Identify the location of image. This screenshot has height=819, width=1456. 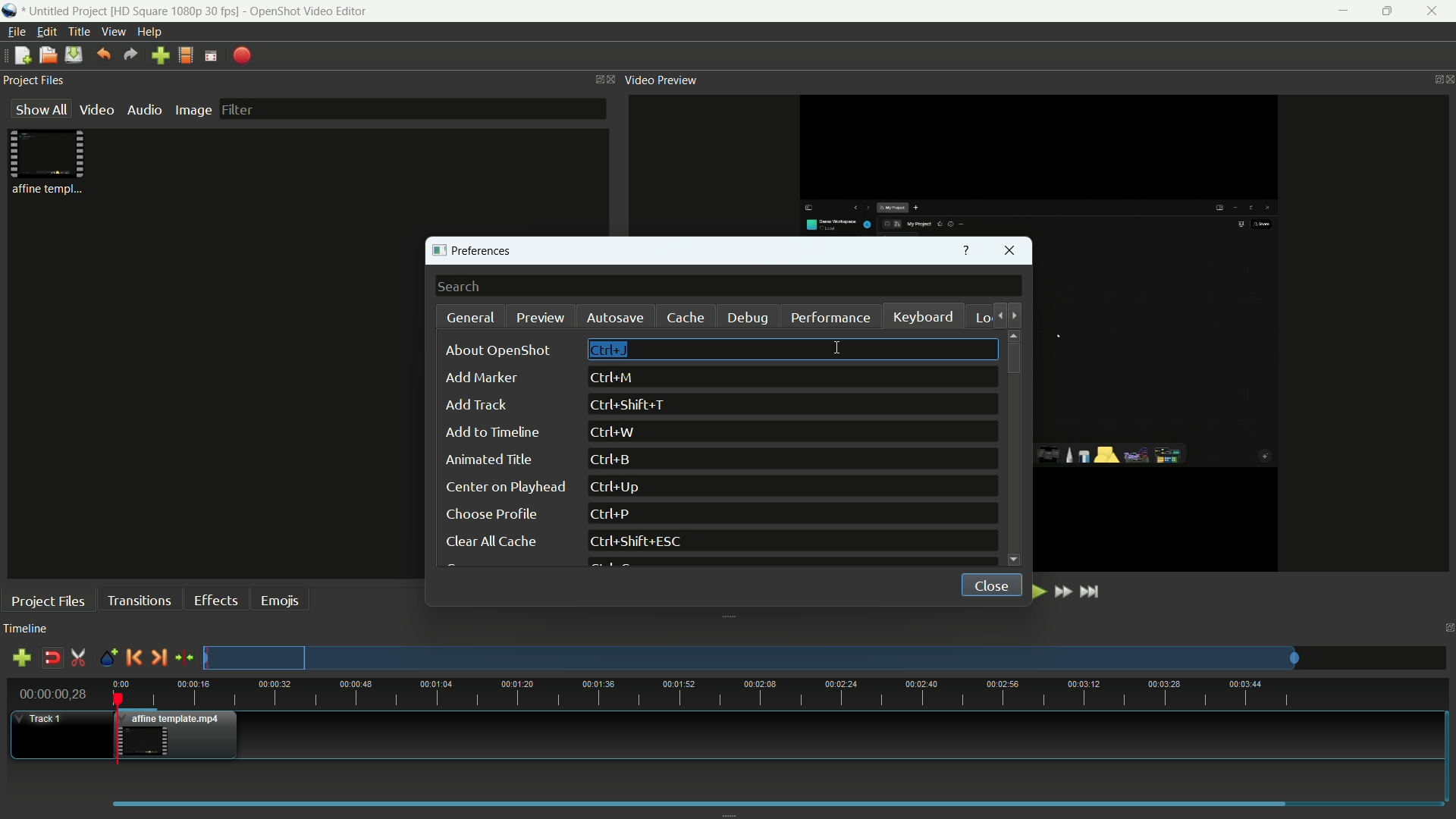
(193, 110).